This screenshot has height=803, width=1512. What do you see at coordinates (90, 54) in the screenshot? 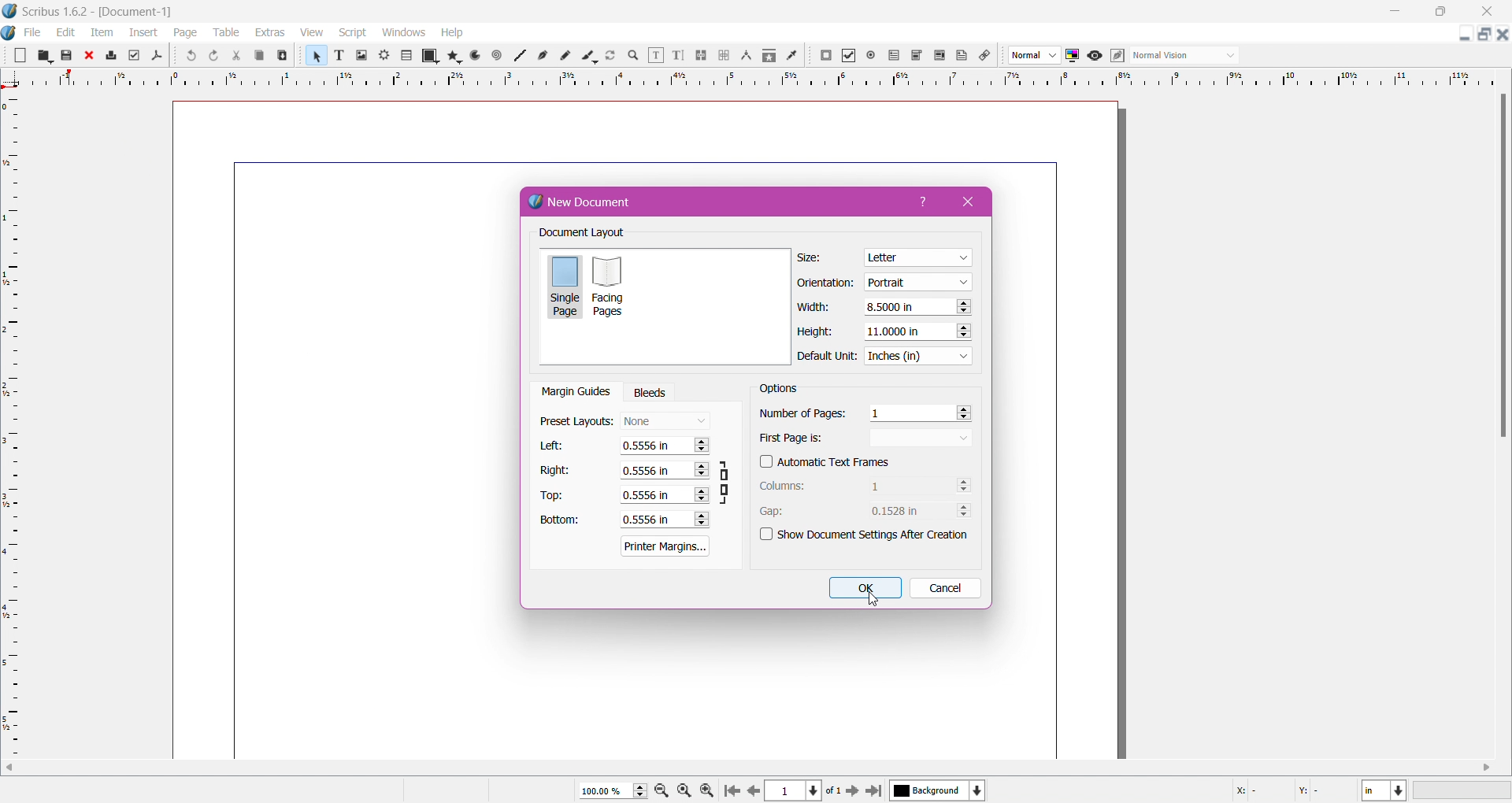
I see `icon` at bounding box center [90, 54].